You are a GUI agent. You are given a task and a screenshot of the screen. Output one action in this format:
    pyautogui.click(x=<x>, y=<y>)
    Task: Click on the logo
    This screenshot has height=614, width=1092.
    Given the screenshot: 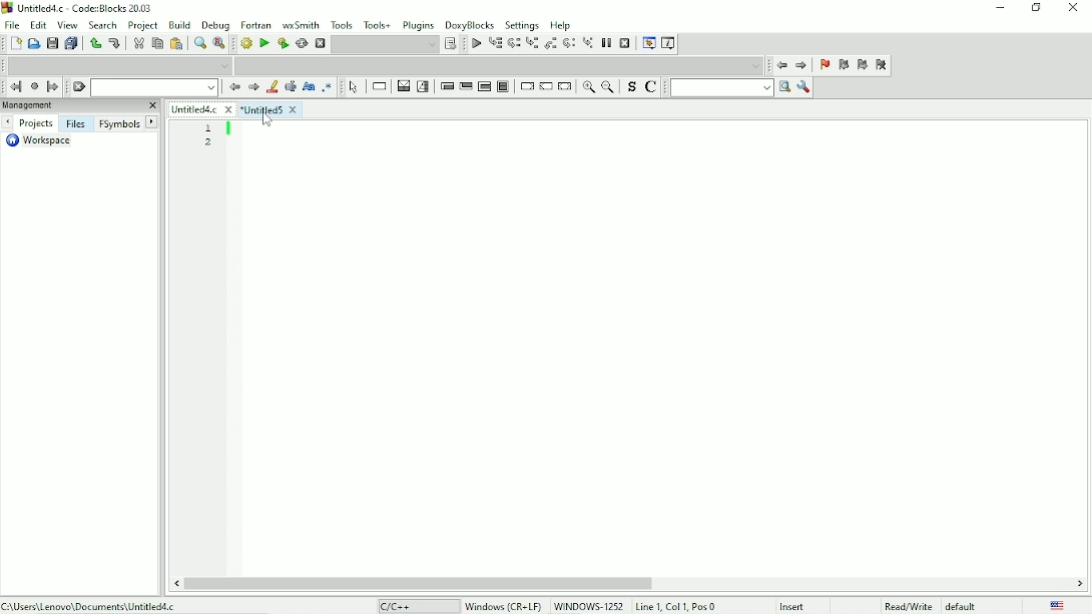 What is the action you would take?
    pyautogui.click(x=7, y=7)
    